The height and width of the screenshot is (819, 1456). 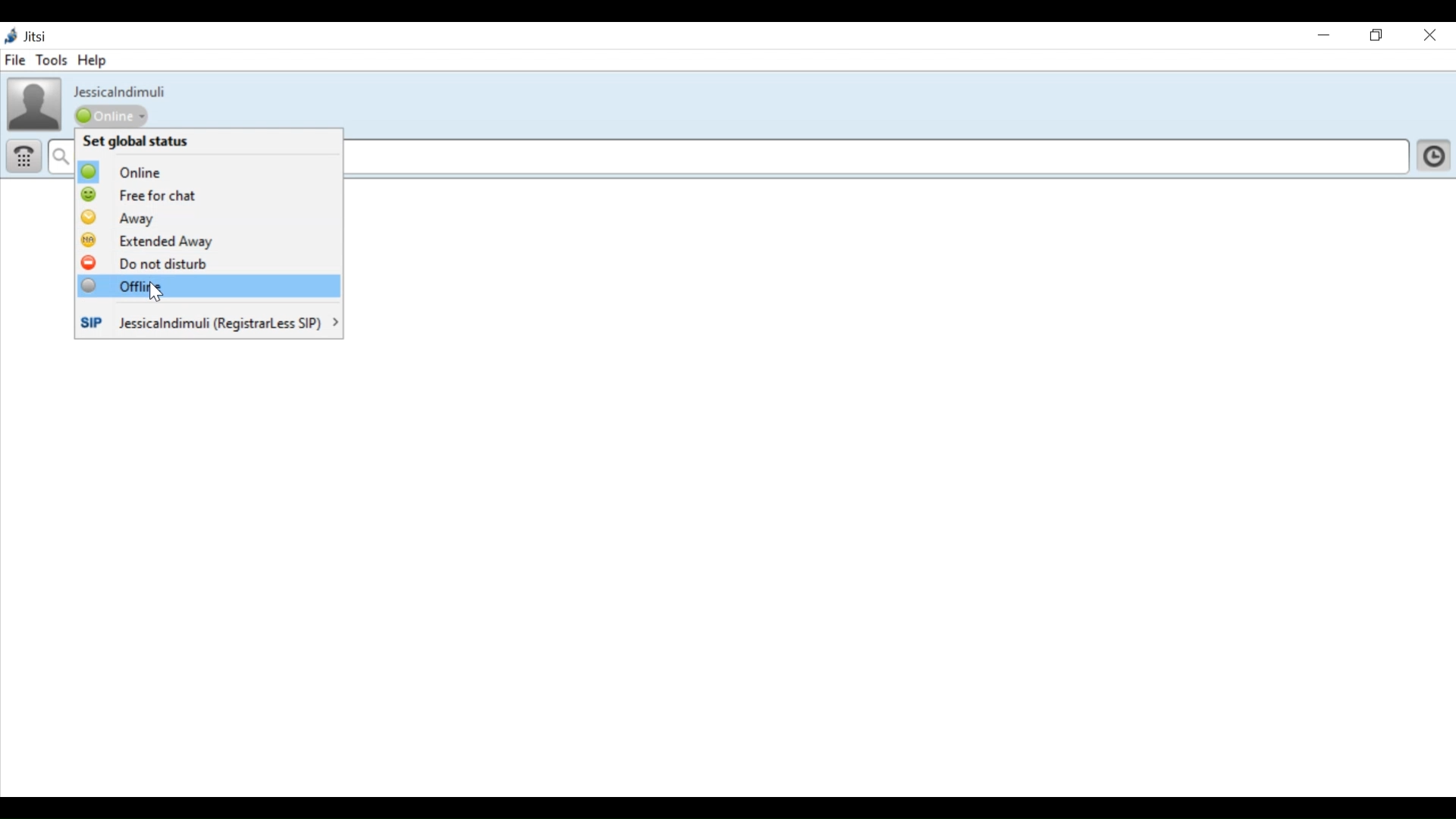 What do you see at coordinates (89, 60) in the screenshot?
I see `Help` at bounding box center [89, 60].